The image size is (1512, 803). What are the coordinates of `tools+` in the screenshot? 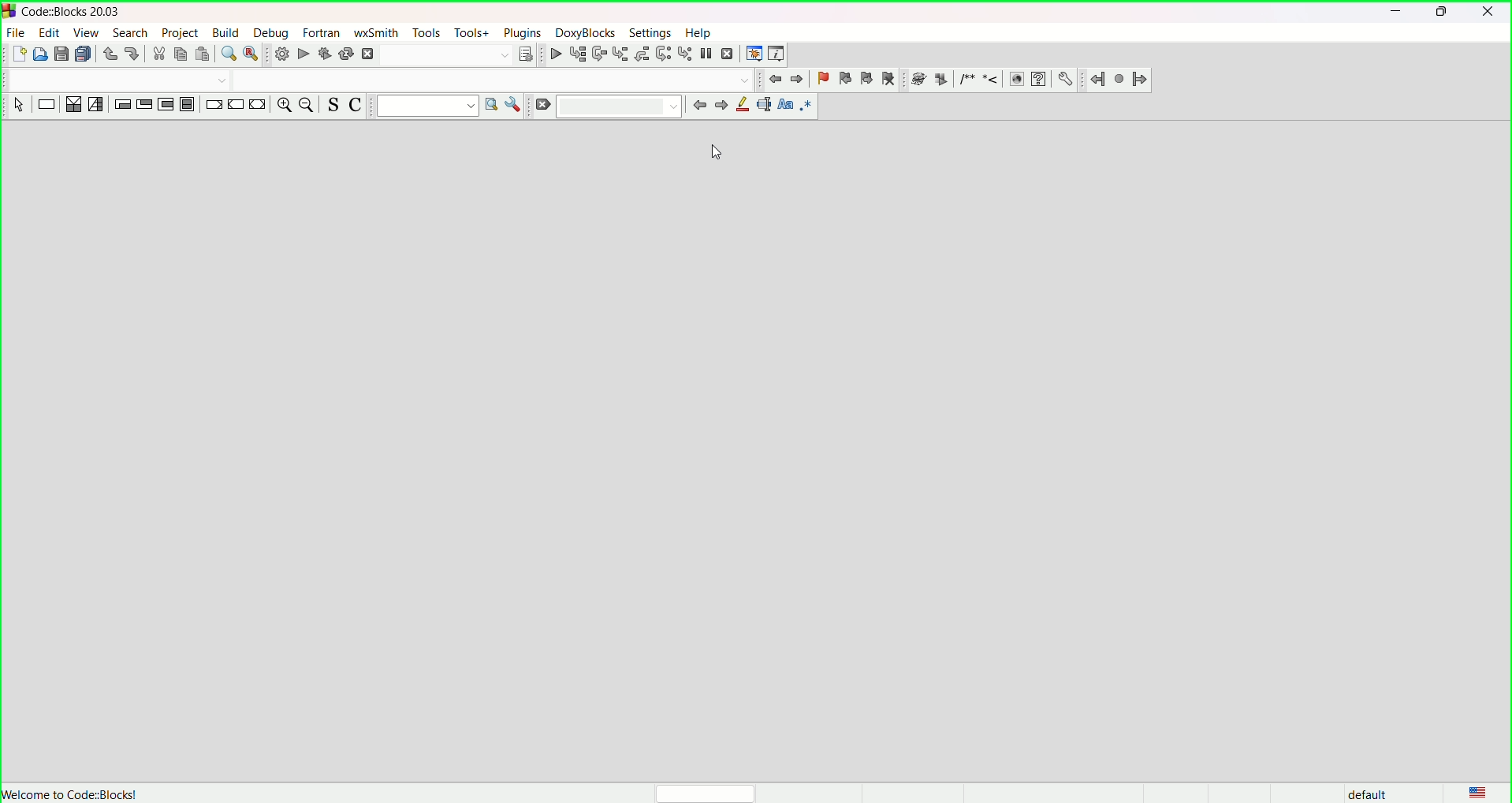 It's located at (470, 32).